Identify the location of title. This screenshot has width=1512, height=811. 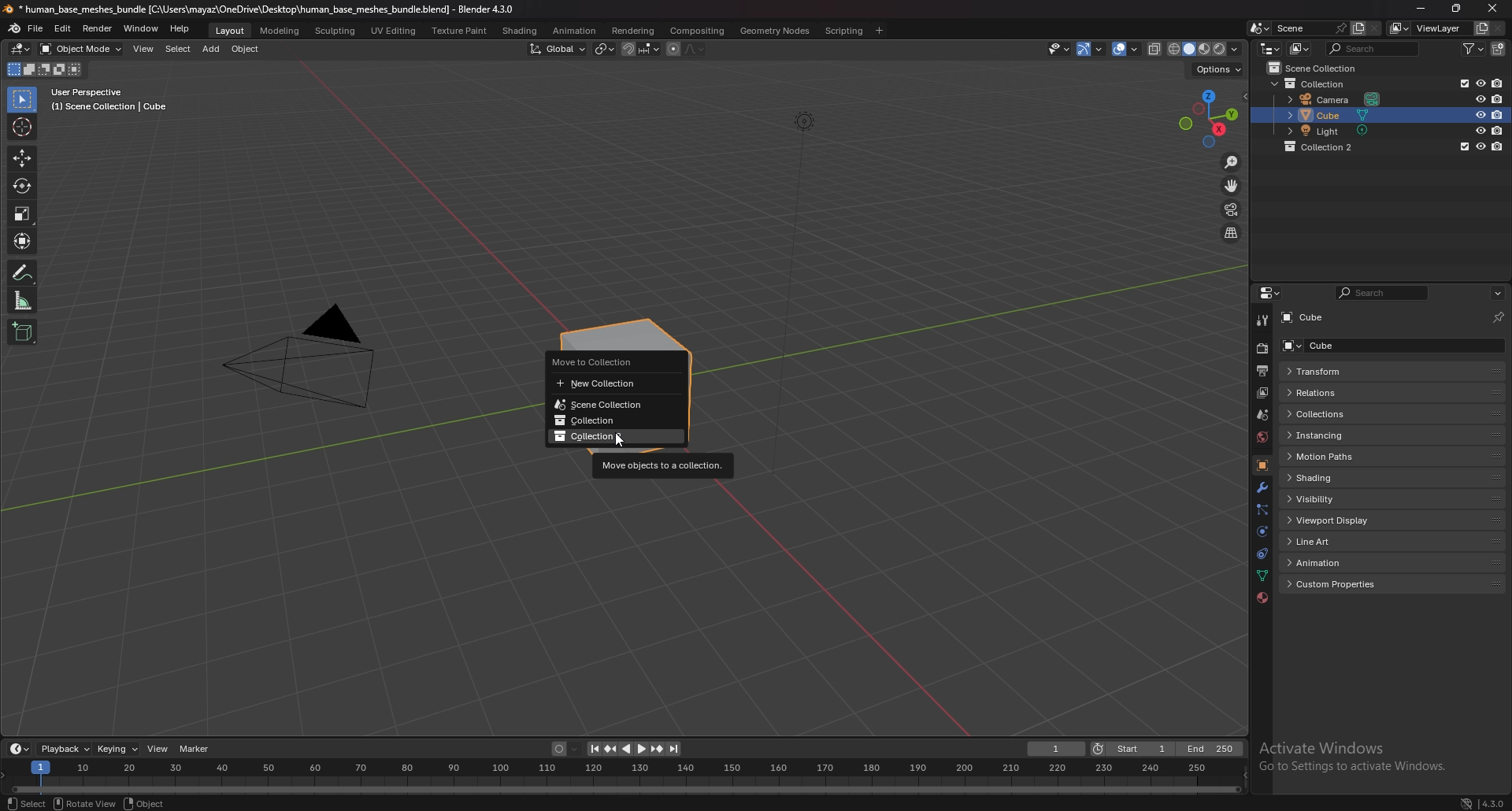
(261, 9).